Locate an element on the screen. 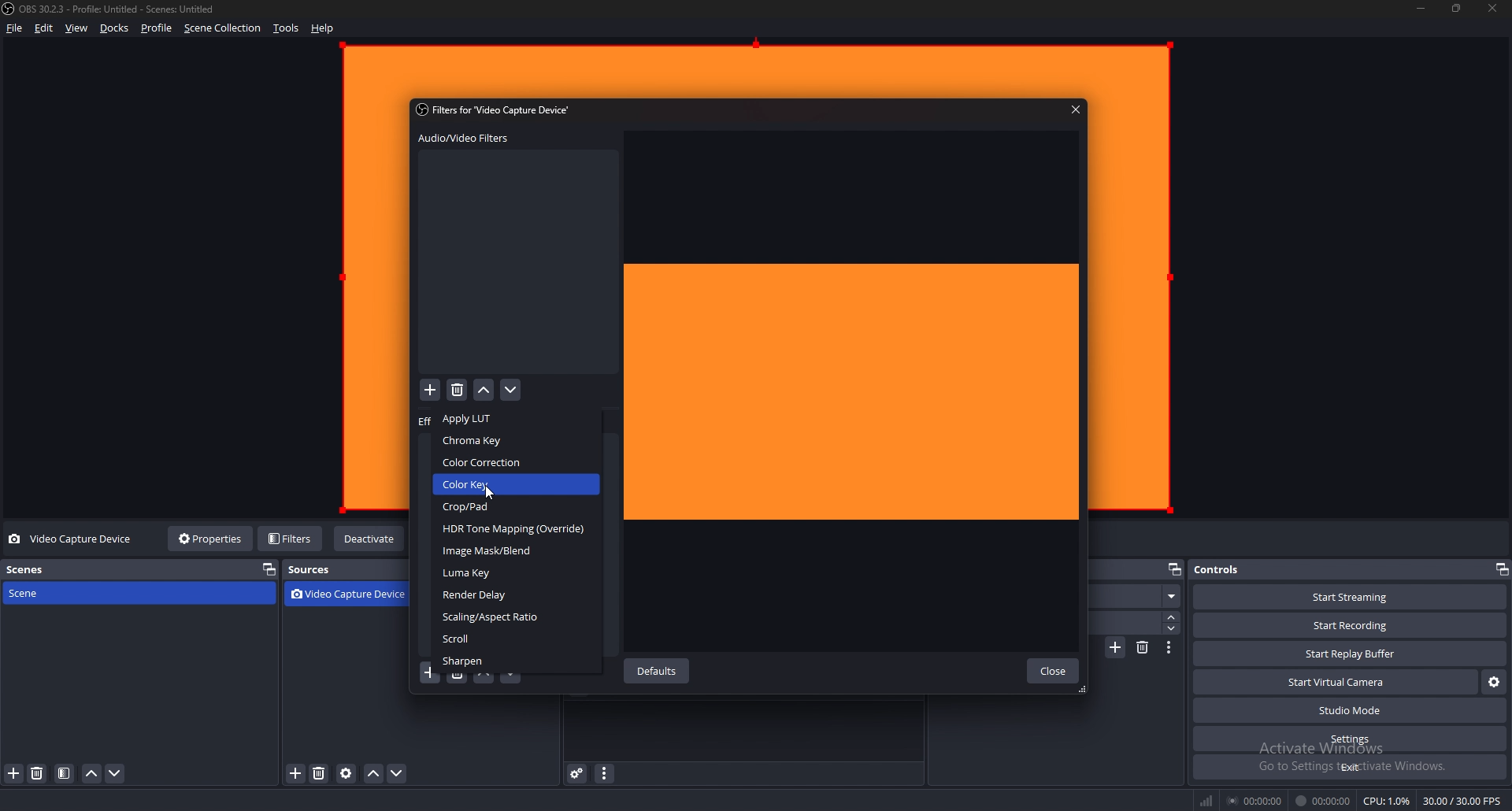 This screenshot has width=1512, height=811. video capture device is located at coordinates (72, 539).